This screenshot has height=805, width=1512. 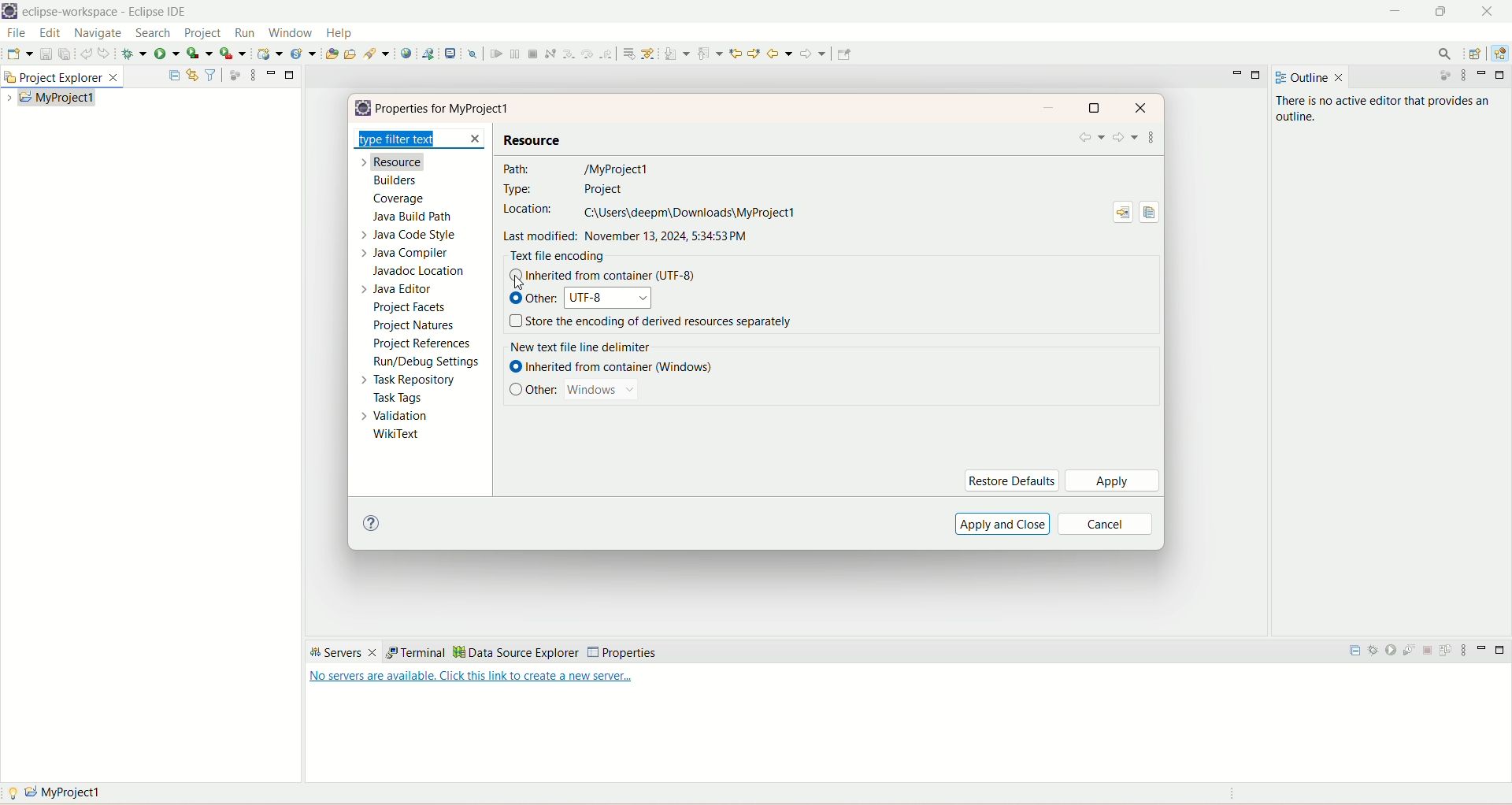 I want to click on logo, so click(x=361, y=108).